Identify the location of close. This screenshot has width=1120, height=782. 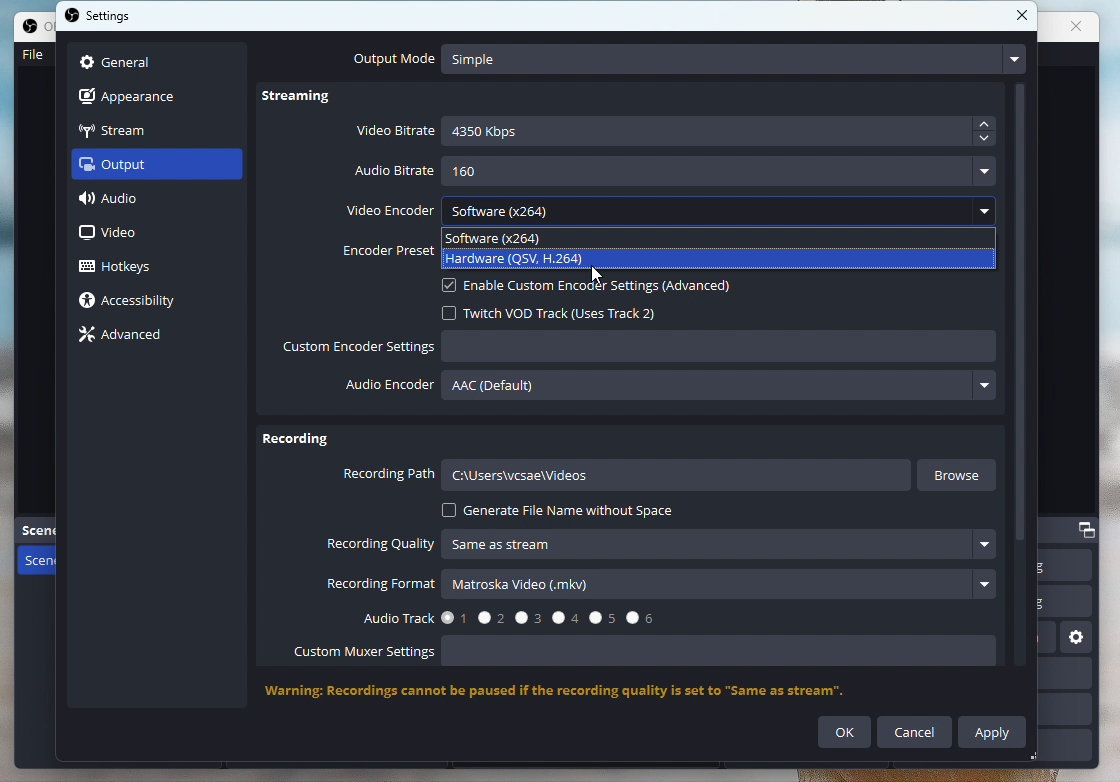
(1022, 16).